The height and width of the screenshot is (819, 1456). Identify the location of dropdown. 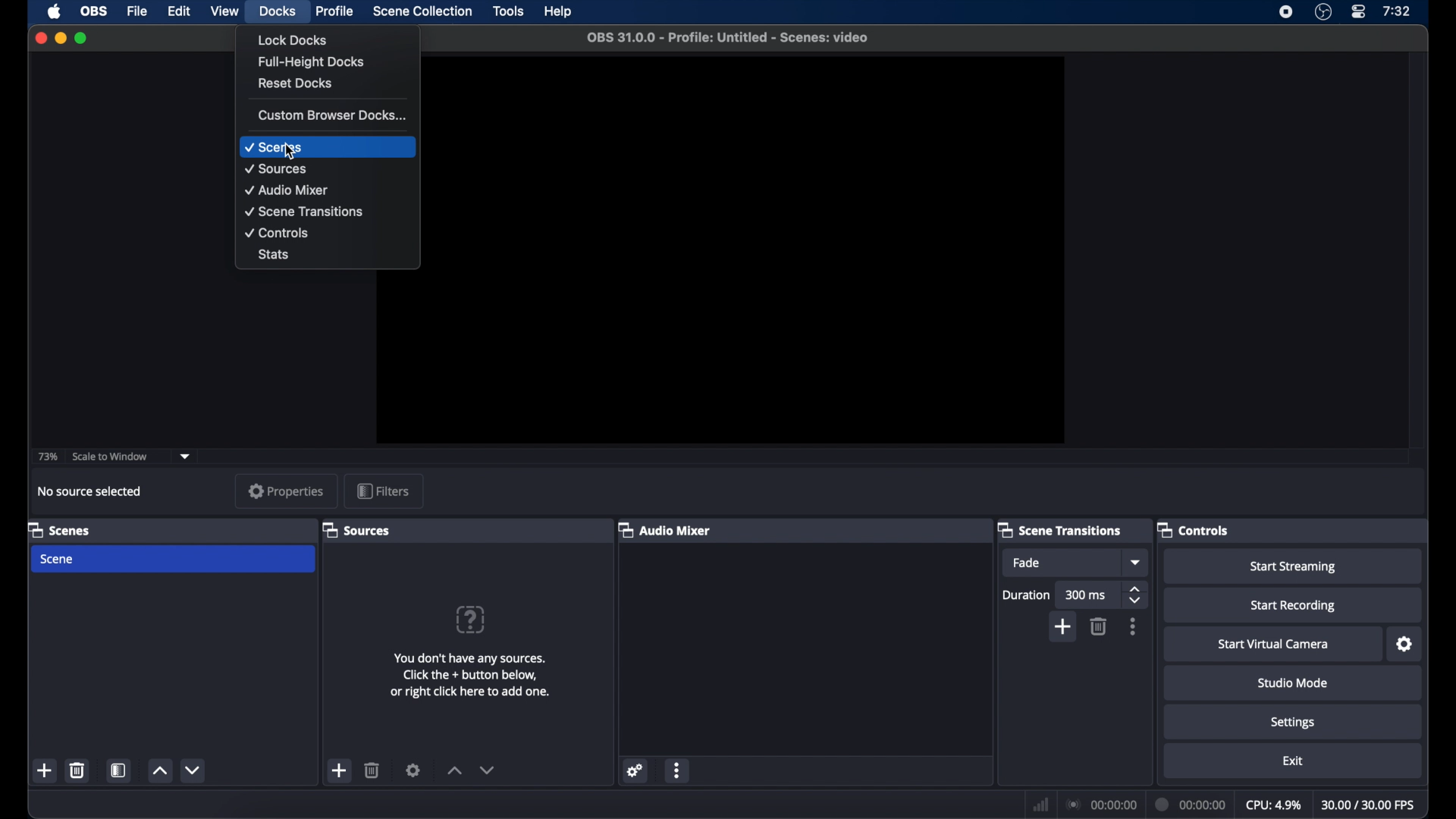
(188, 455).